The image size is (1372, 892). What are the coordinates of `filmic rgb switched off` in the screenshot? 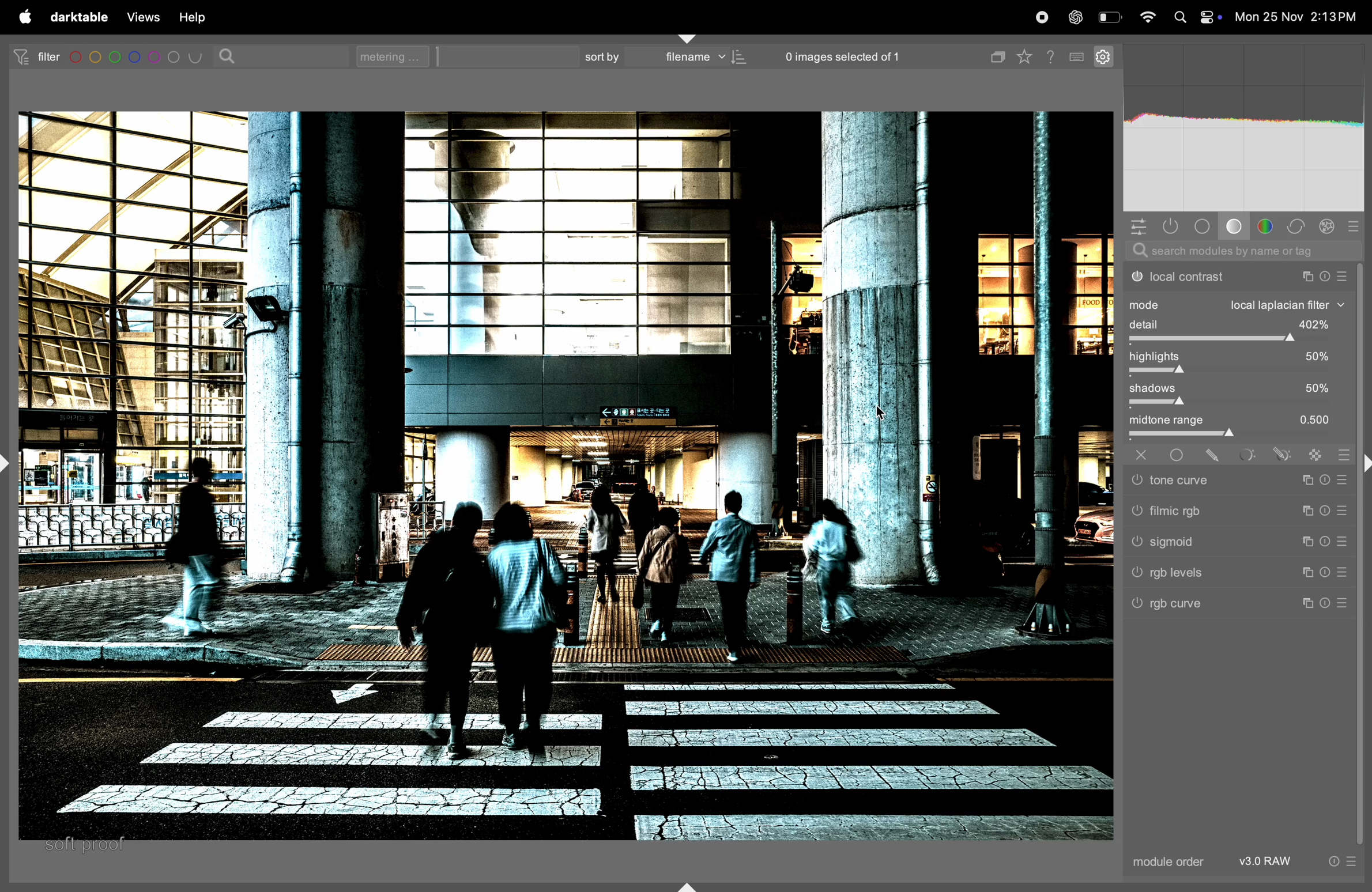 It's located at (1136, 512).